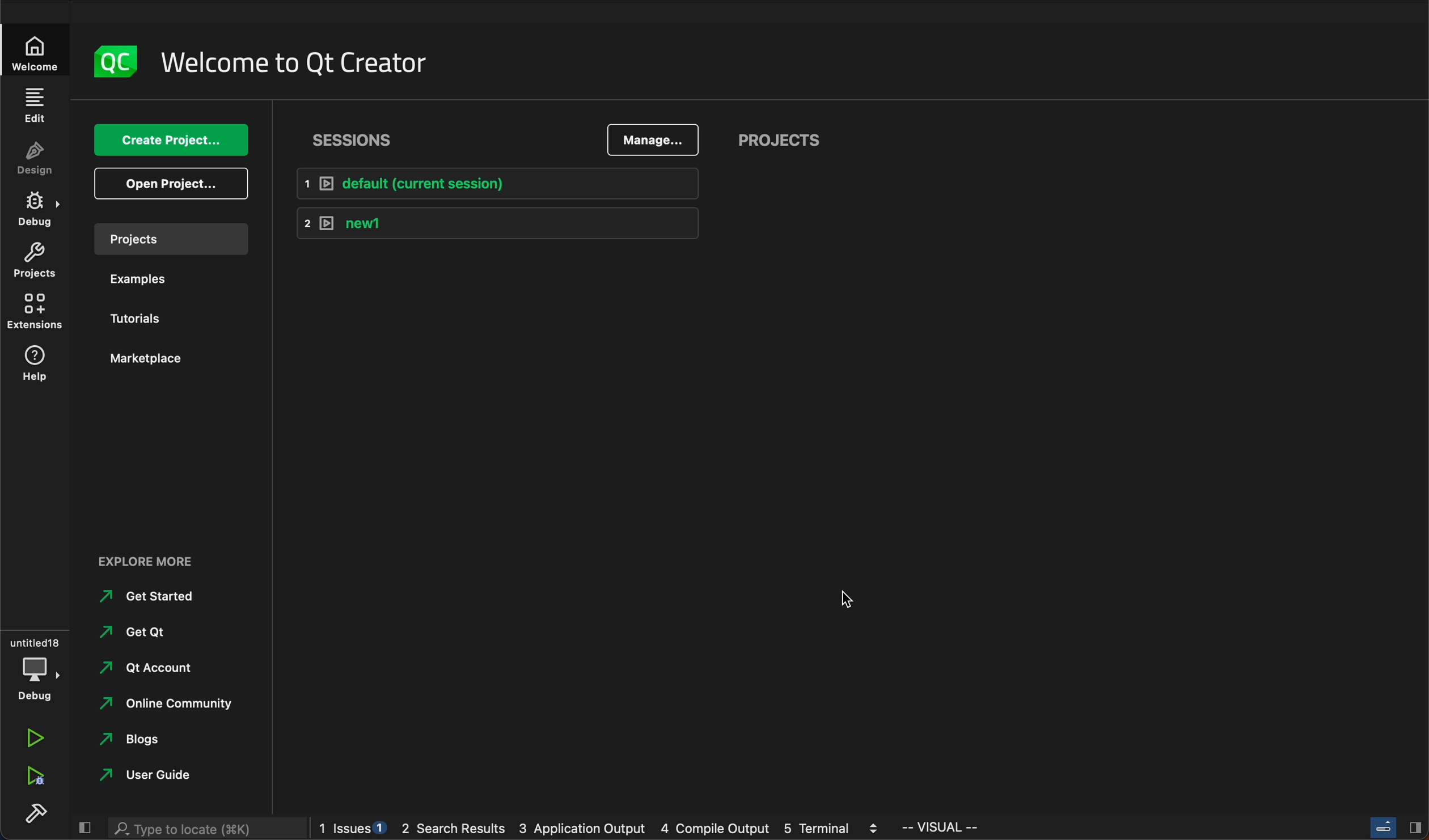  What do you see at coordinates (153, 596) in the screenshot?
I see `get started` at bounding box center [153, 596].